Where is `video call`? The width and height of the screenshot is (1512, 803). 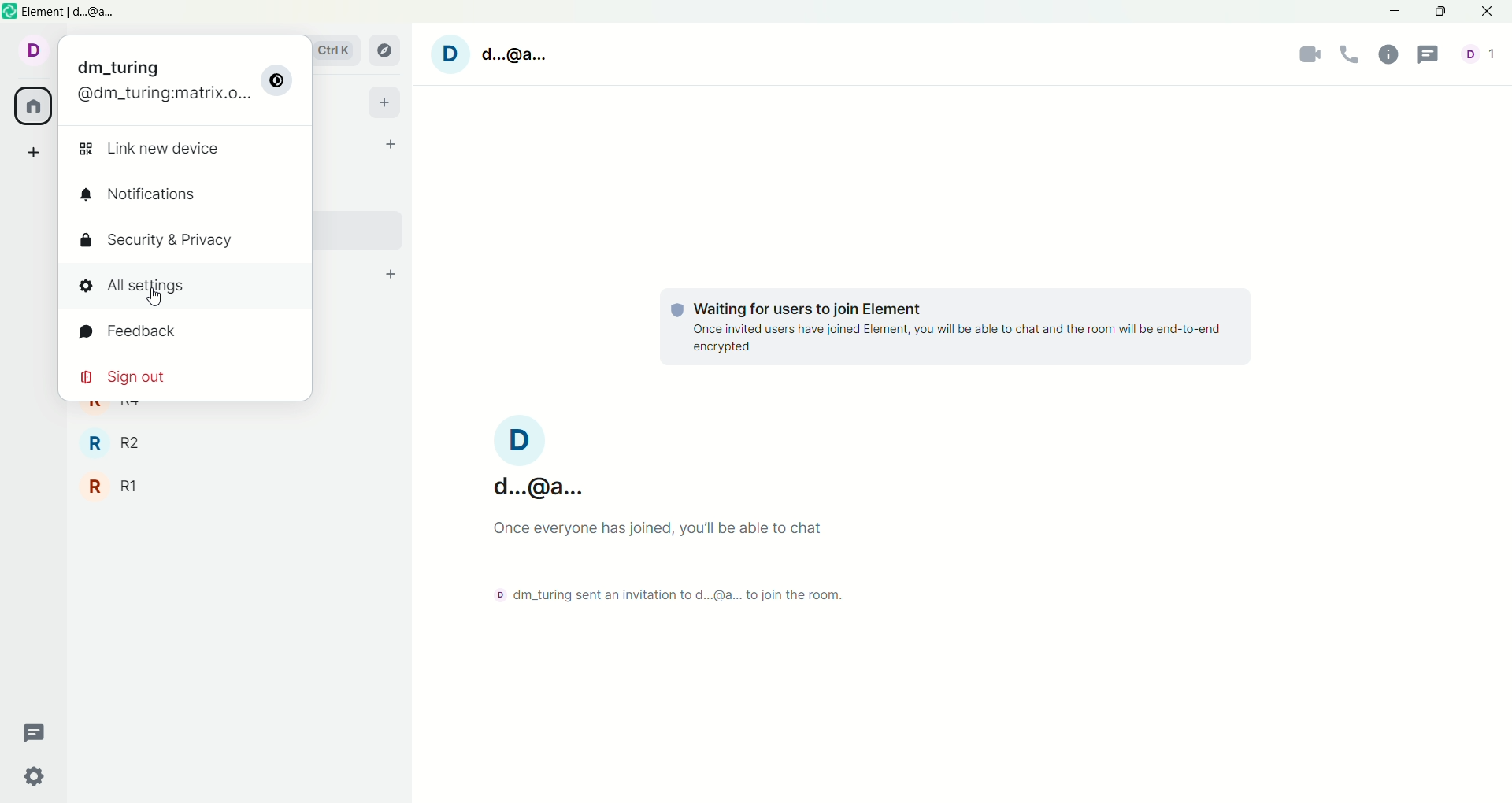
video call is located at coordinates (1311, 57).